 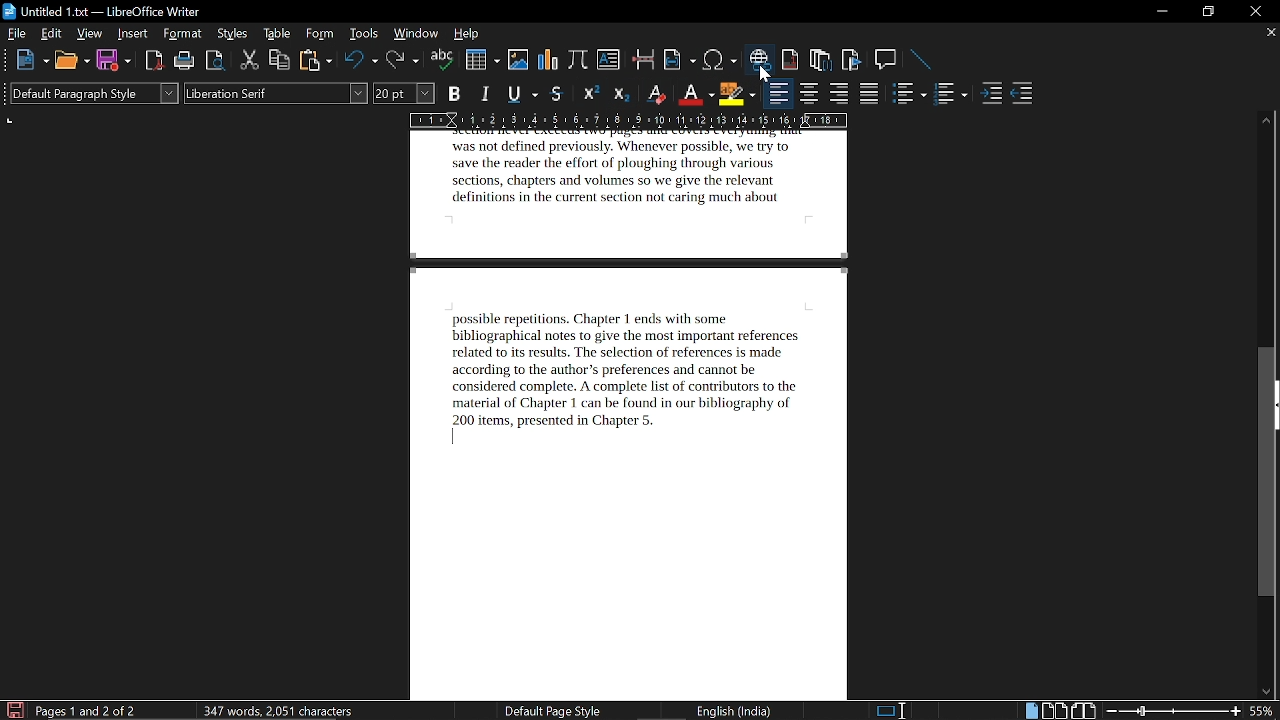 I want to click on toggle print preview, so click(x=216, y=61).